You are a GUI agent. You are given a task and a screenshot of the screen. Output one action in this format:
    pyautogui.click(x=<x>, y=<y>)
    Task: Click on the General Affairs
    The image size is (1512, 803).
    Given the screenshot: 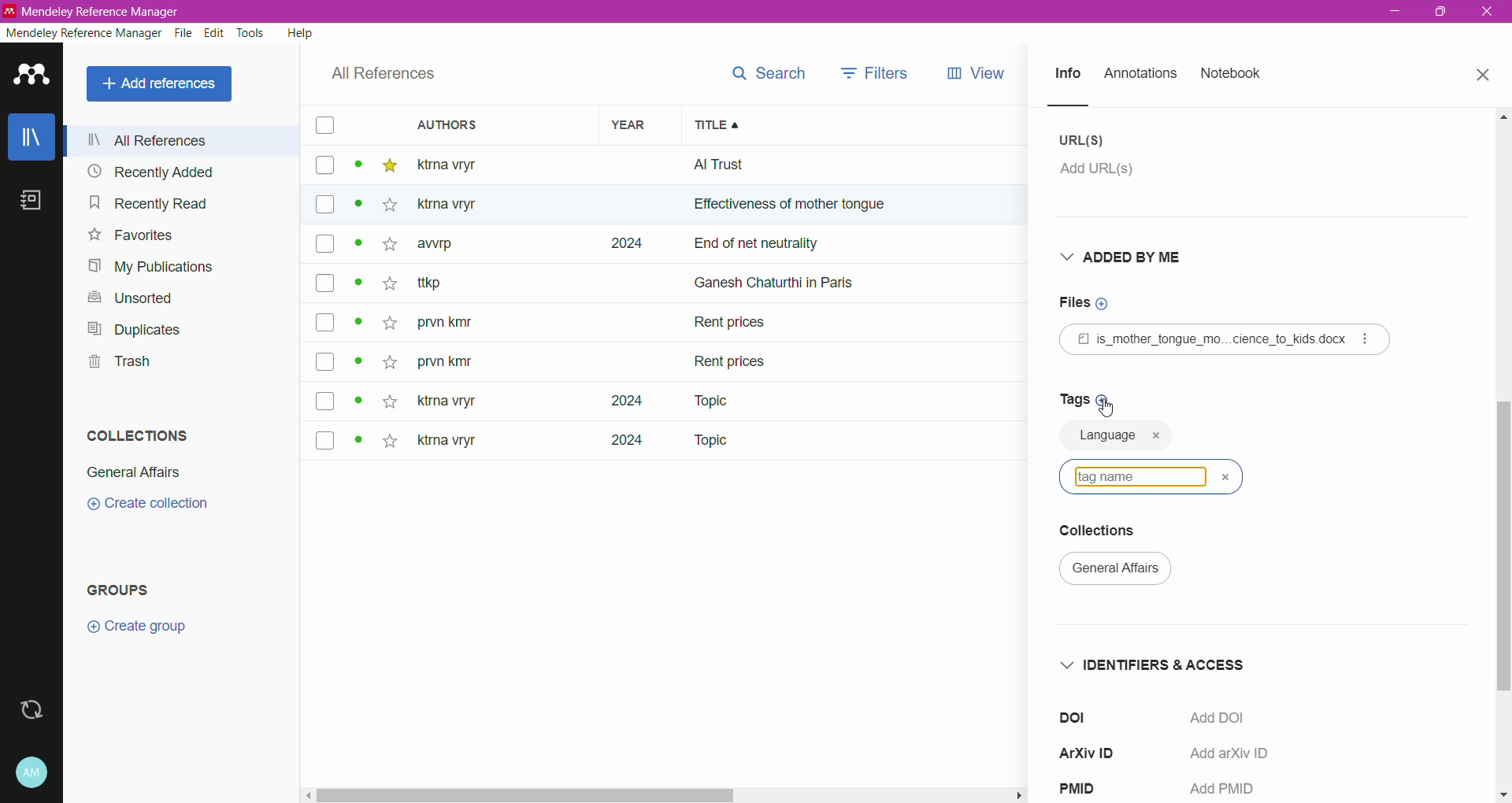 What is the action you would take?
    pyautogui.click(x=134, y=472)
    